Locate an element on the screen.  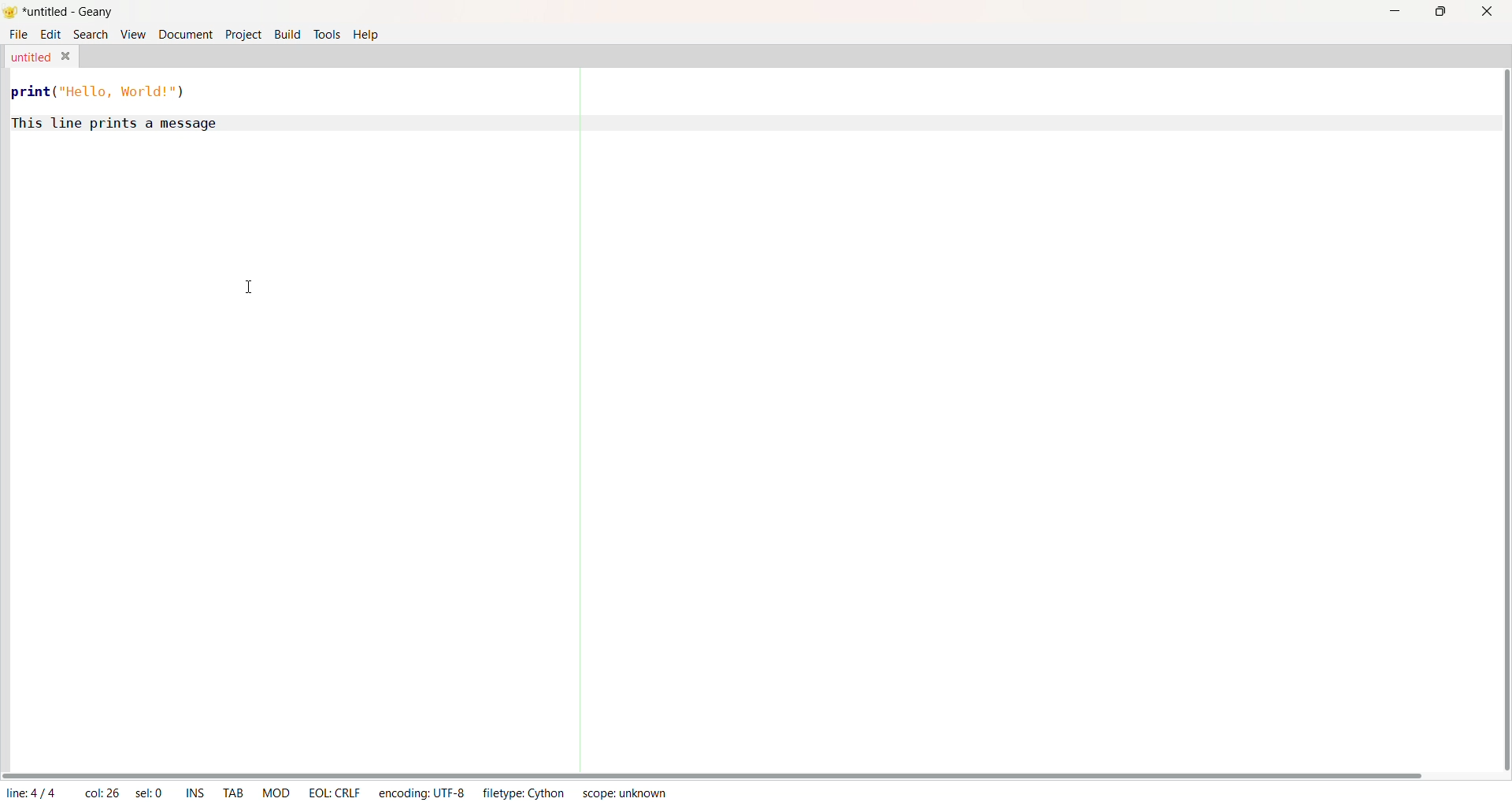
ins is located at coordinates (193, 791).